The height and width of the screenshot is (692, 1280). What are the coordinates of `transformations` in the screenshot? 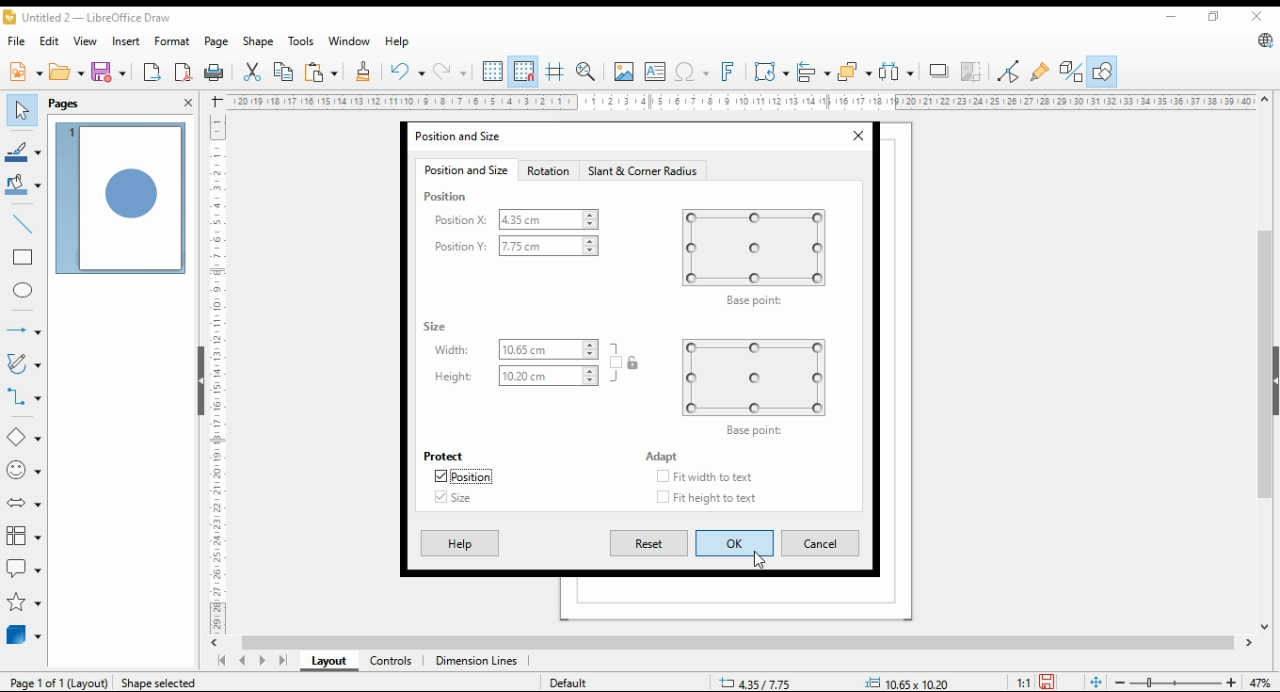 It's located at (771, 71).